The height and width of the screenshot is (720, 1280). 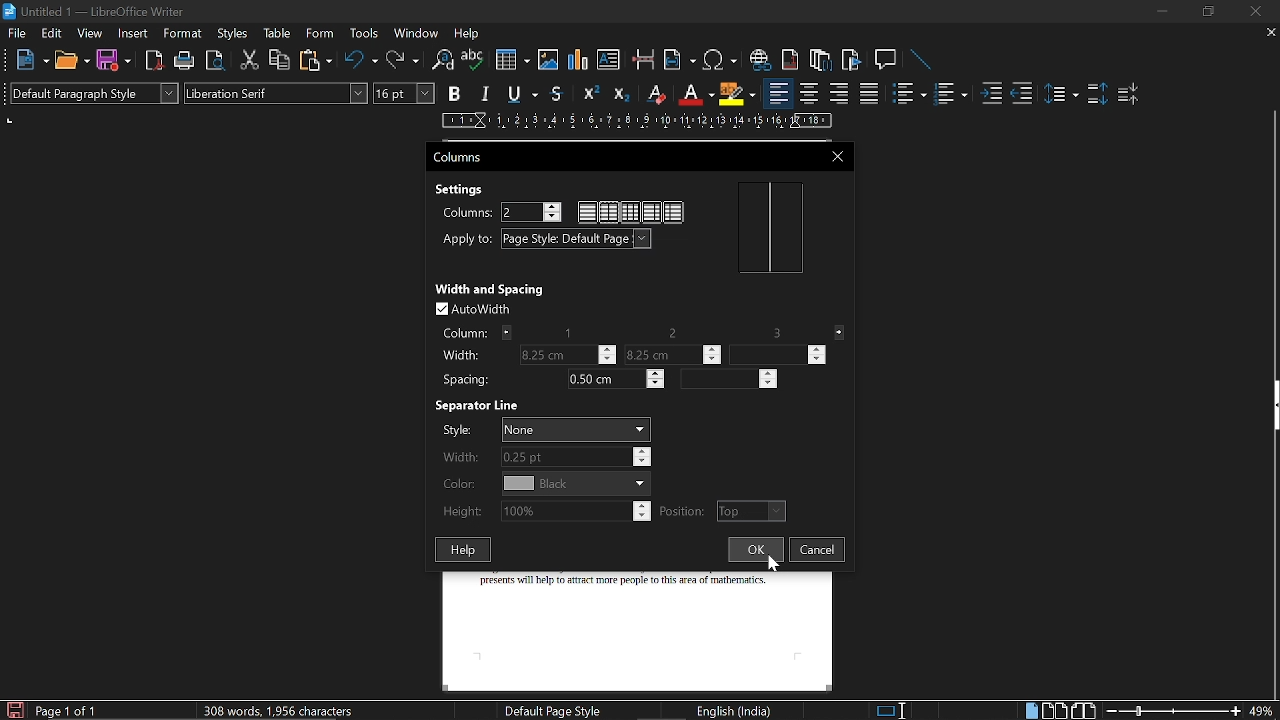 What do you see at coordinates (994, 93) in the screenshot?
I see `Increase indent` at bounding box center [994, 93].